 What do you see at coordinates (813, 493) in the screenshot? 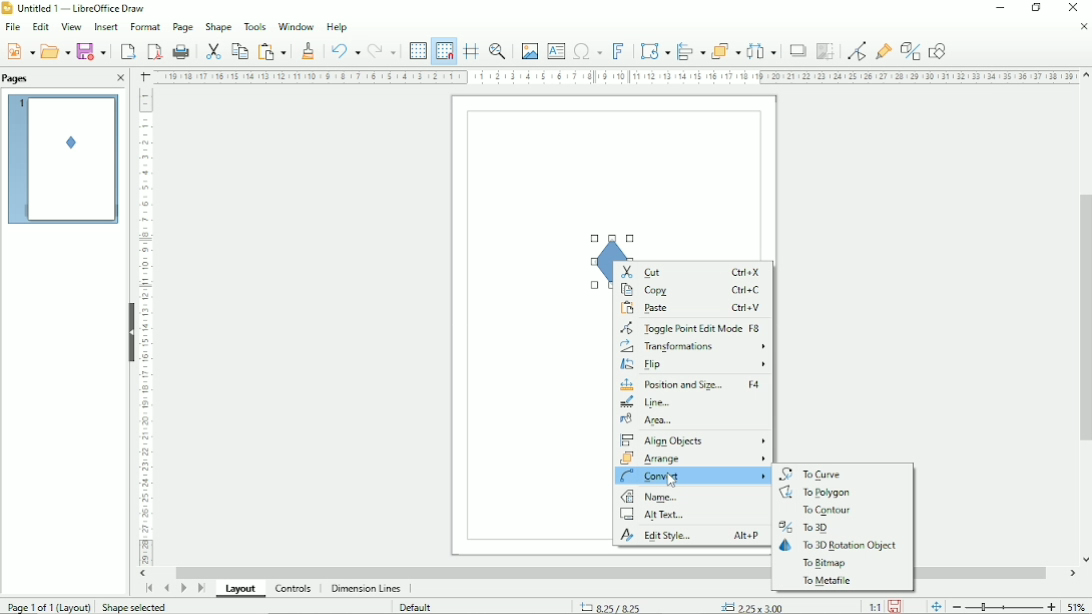
I see `To polygon` at bounding box center [813, 493].